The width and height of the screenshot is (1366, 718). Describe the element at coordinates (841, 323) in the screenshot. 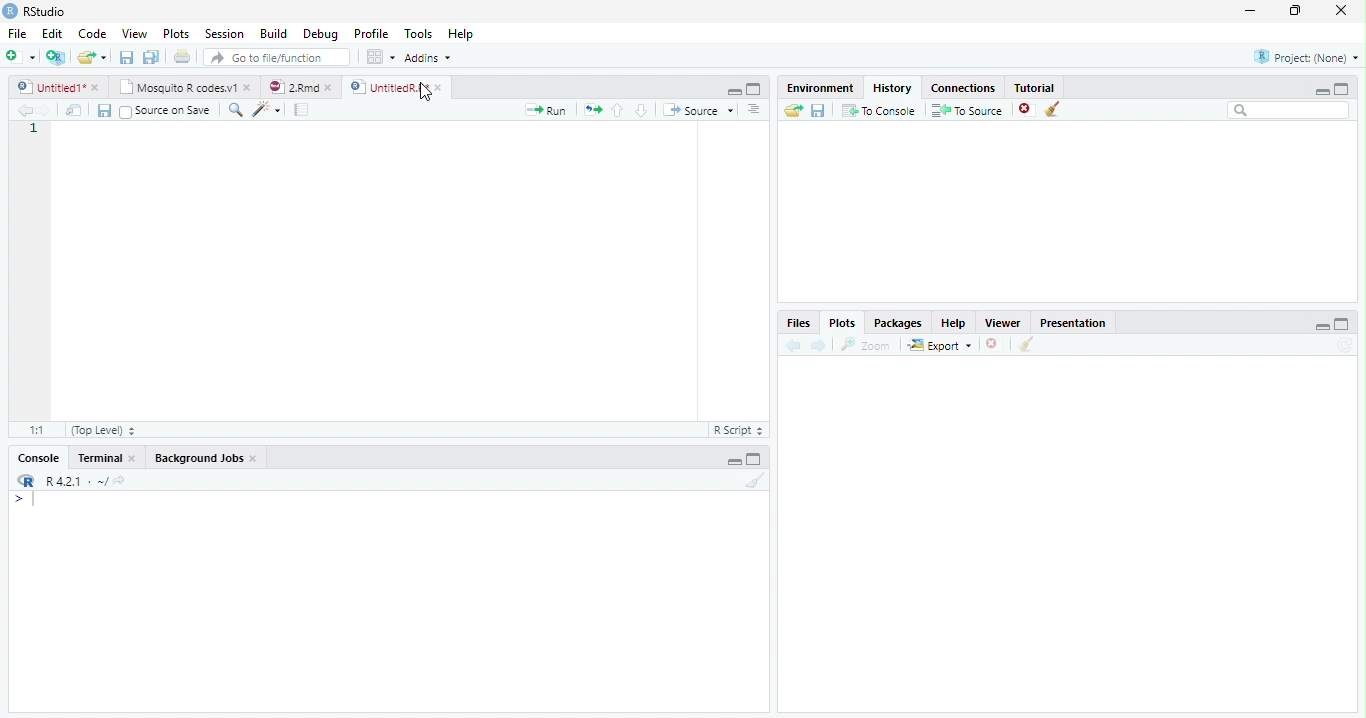

I see `Plots` at that location.